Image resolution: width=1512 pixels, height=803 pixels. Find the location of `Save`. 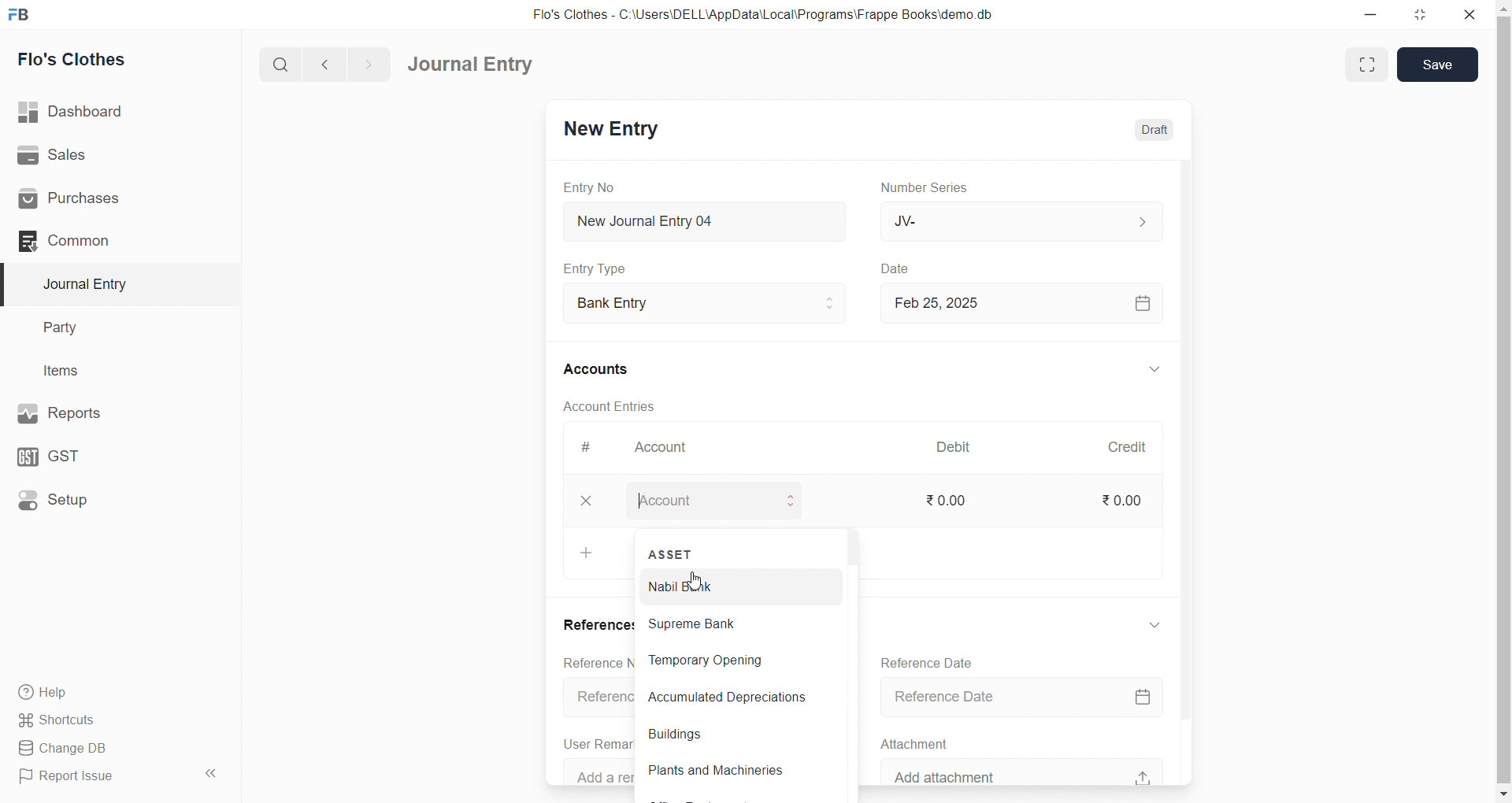

Save is located at coordinates (1437, 65).